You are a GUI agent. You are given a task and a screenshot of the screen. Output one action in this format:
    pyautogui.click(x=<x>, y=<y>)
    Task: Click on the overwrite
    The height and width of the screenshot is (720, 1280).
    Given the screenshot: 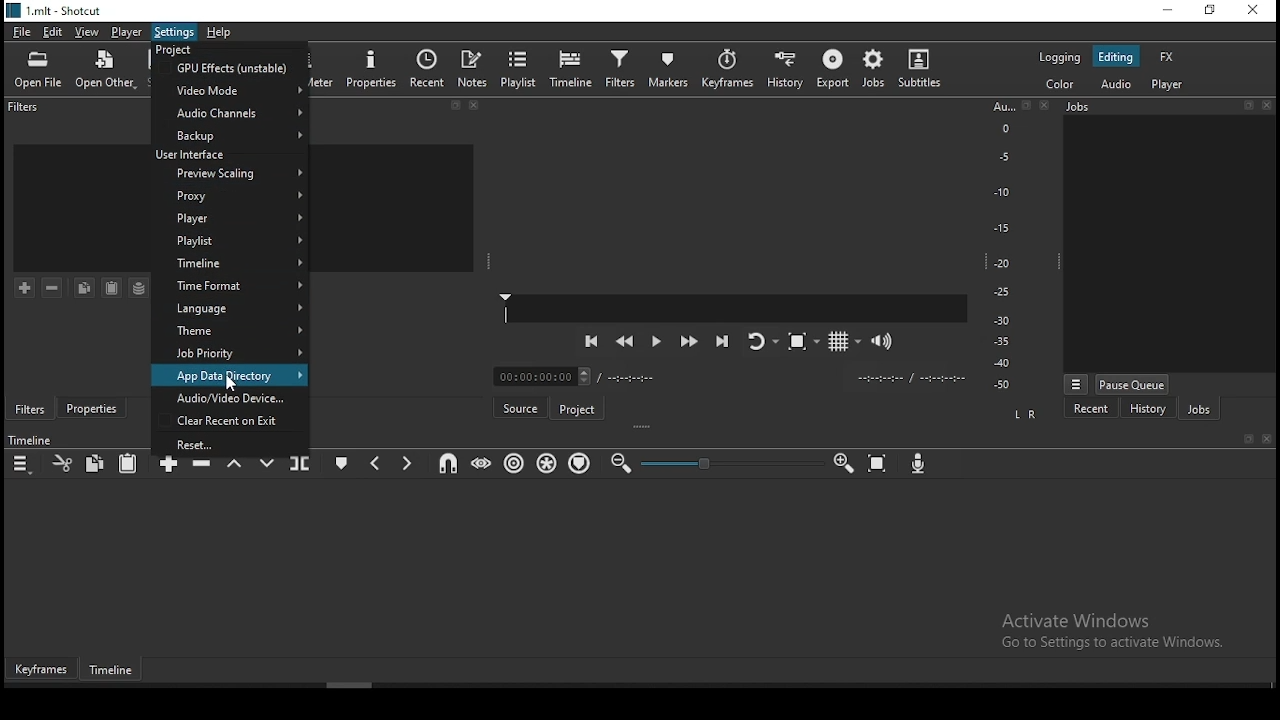 What is the action you would take?
    pyautogui.click(x=265, y=461)
    